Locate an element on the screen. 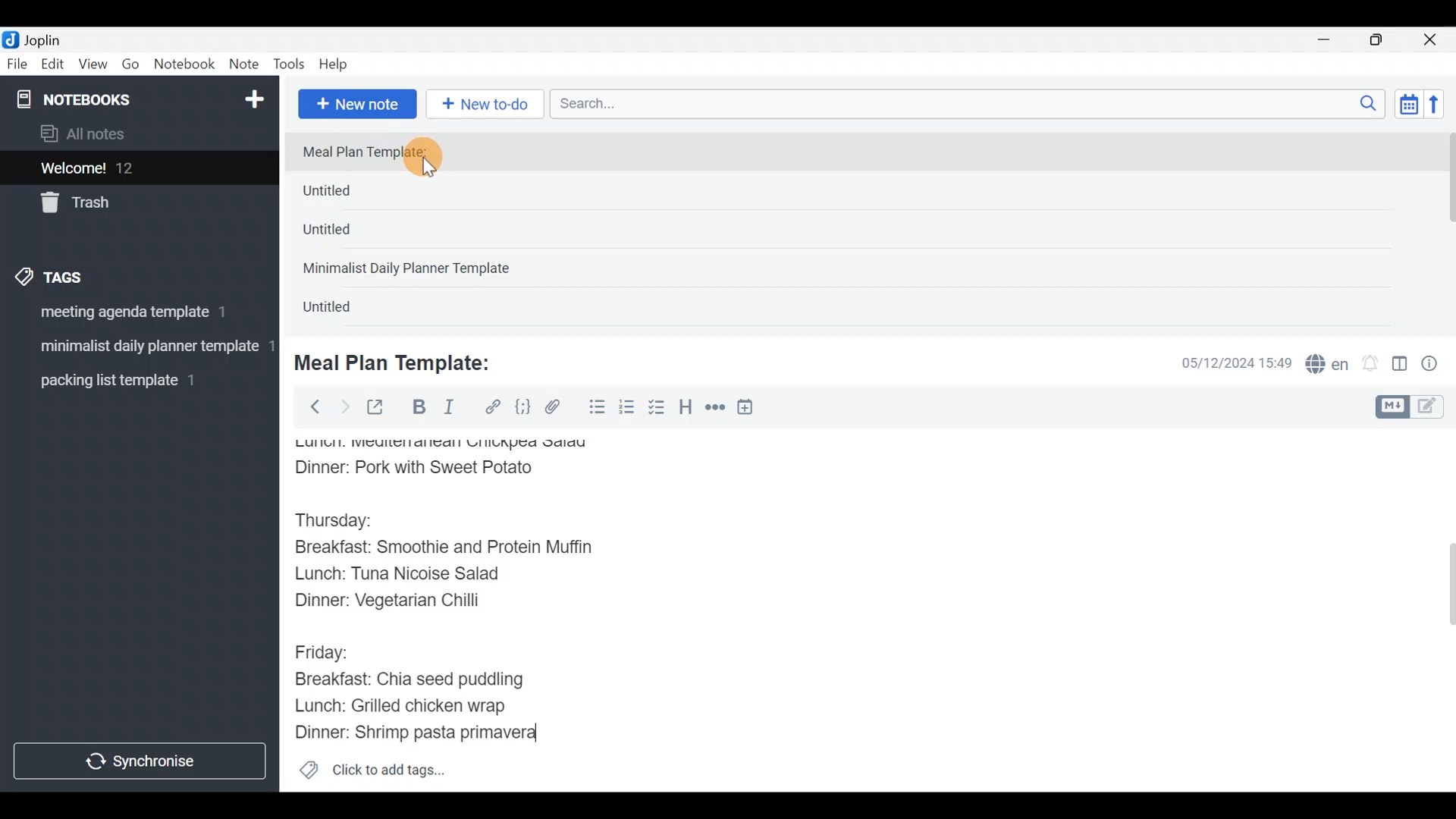 The width and height of the screenshot is (1456, 819). Breakfast: Chia seed puddling is located at coordinates (417, 679).